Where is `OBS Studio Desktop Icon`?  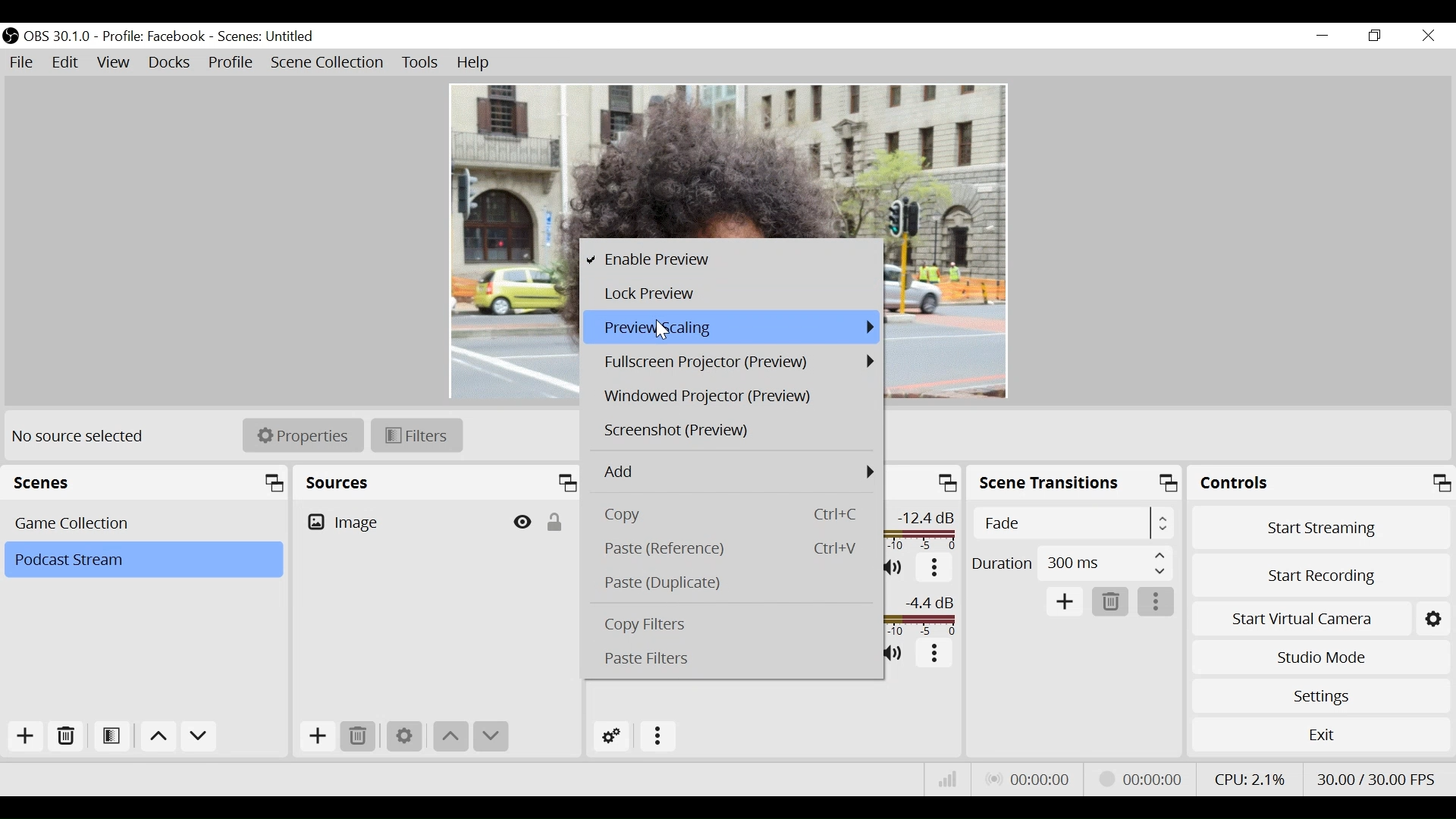 OBS Studio Desktop Icon is located at coordinates (10, 36).